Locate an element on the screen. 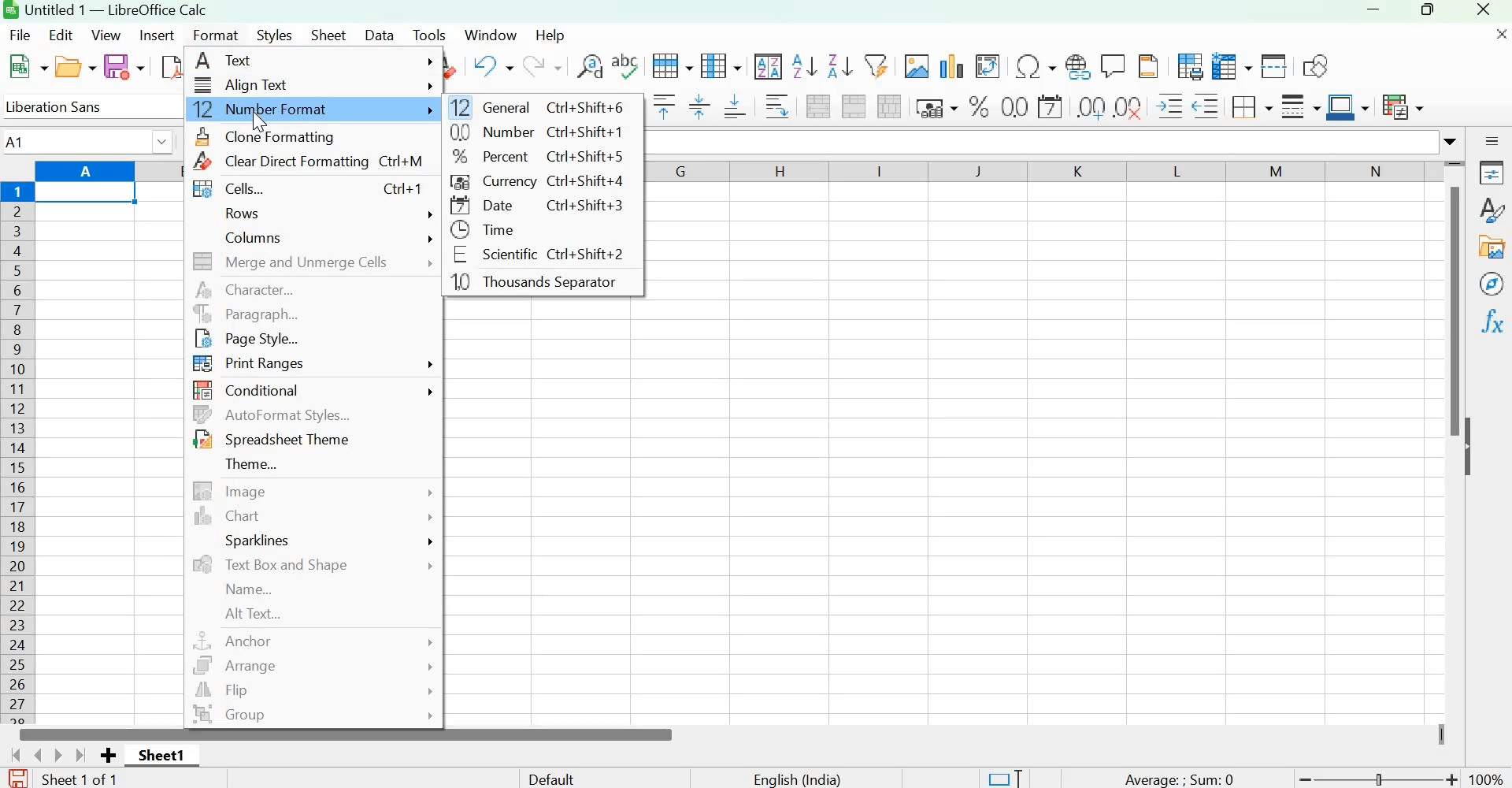 This screenshot has height=788, width=1512. Scroll to first sheet is located at coordinates (10, 753).